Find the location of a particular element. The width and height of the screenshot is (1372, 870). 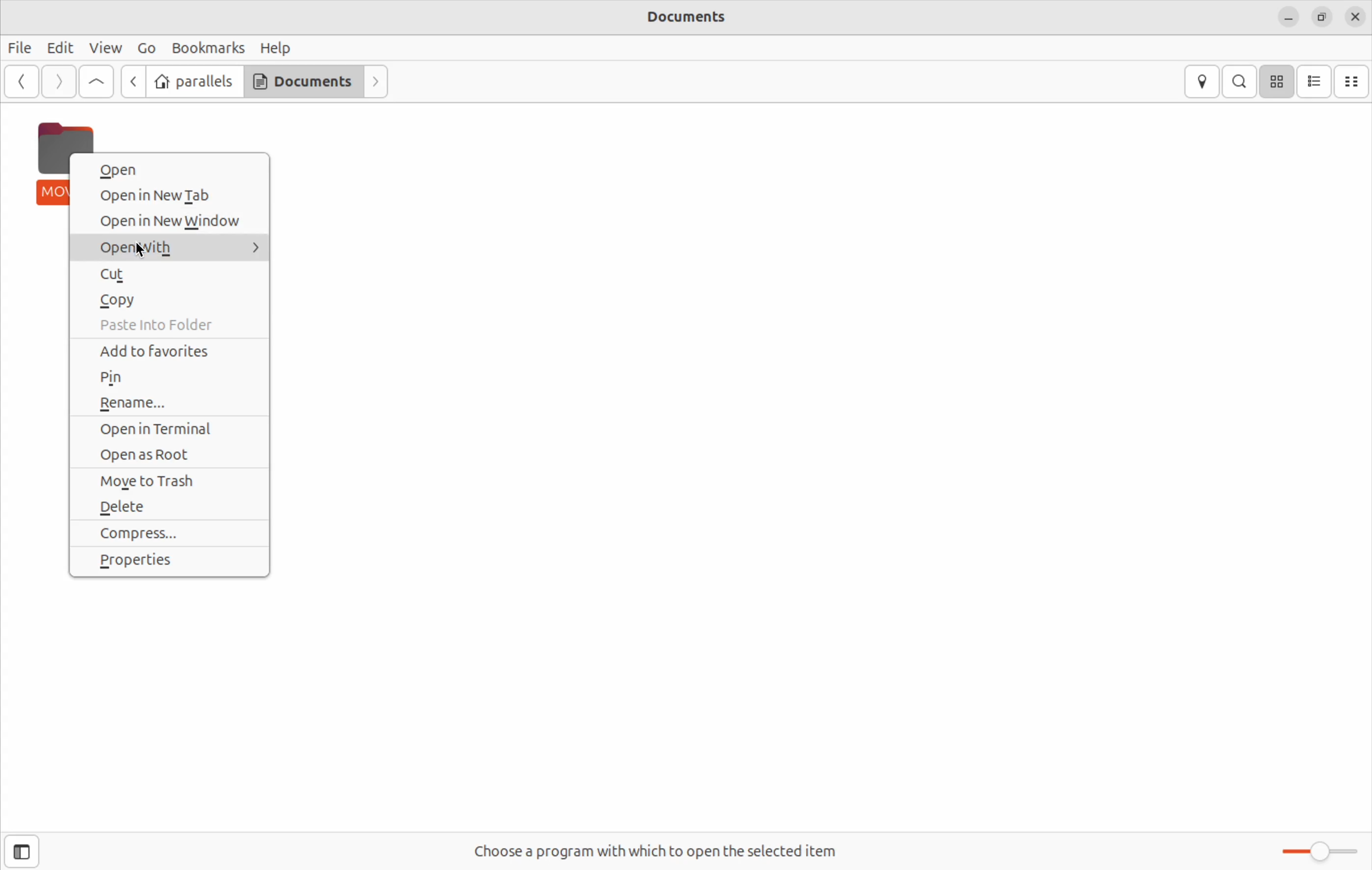

Go up is located at coordinates (96, 83).